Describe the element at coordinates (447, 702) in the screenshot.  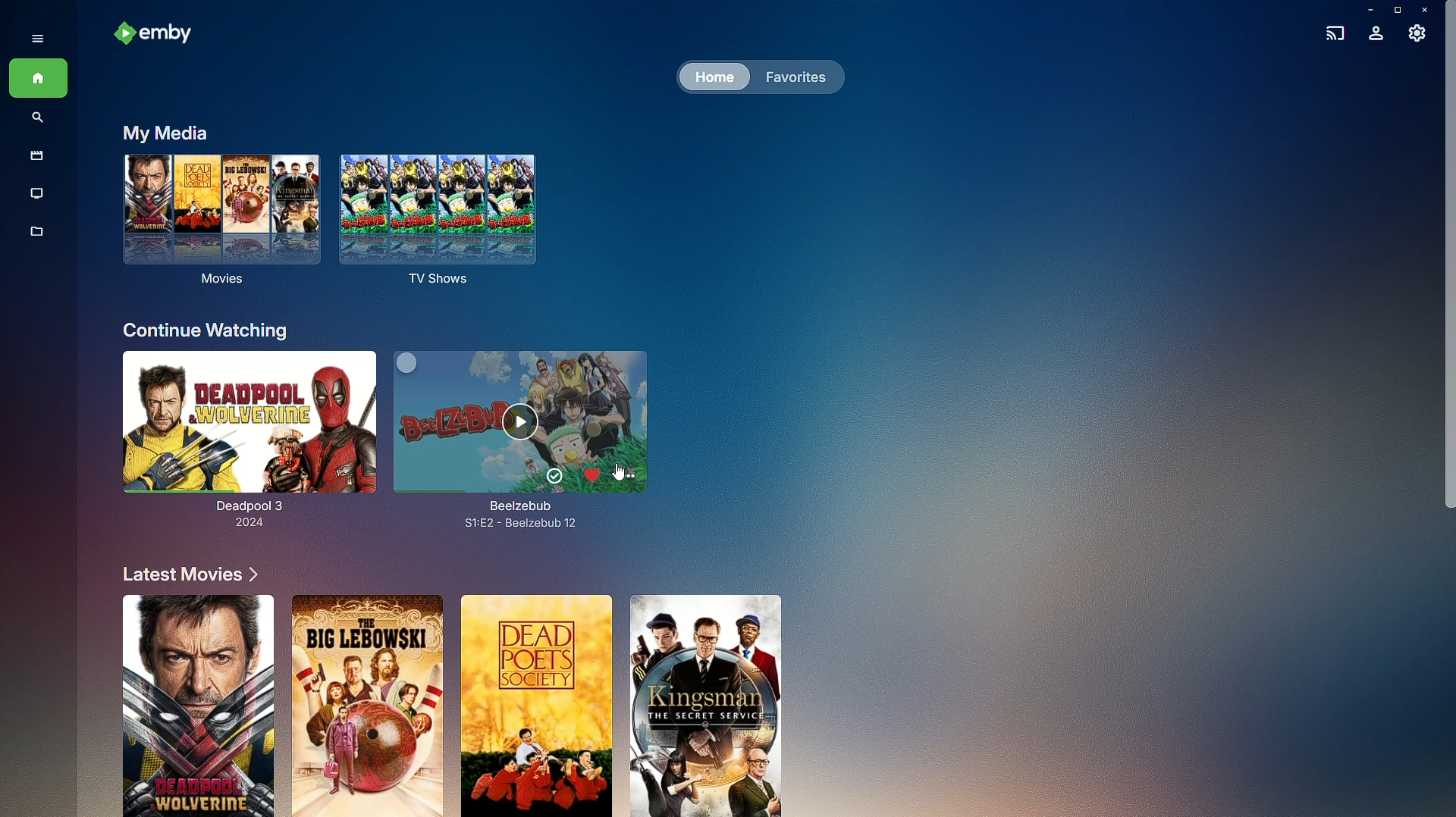
I see `Posters` at that location.